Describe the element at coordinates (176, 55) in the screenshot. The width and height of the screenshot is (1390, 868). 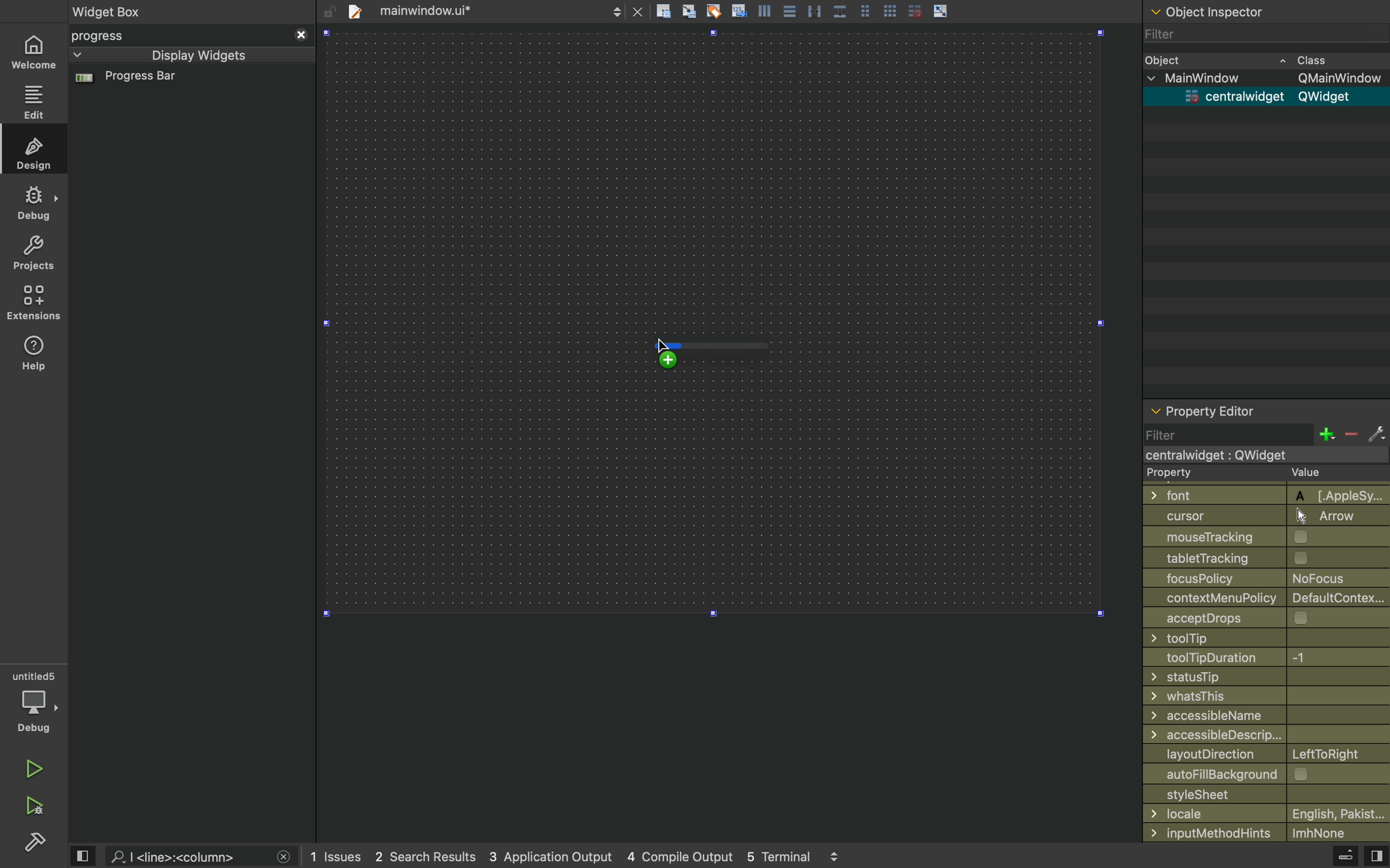
I see `display widget` at that location.